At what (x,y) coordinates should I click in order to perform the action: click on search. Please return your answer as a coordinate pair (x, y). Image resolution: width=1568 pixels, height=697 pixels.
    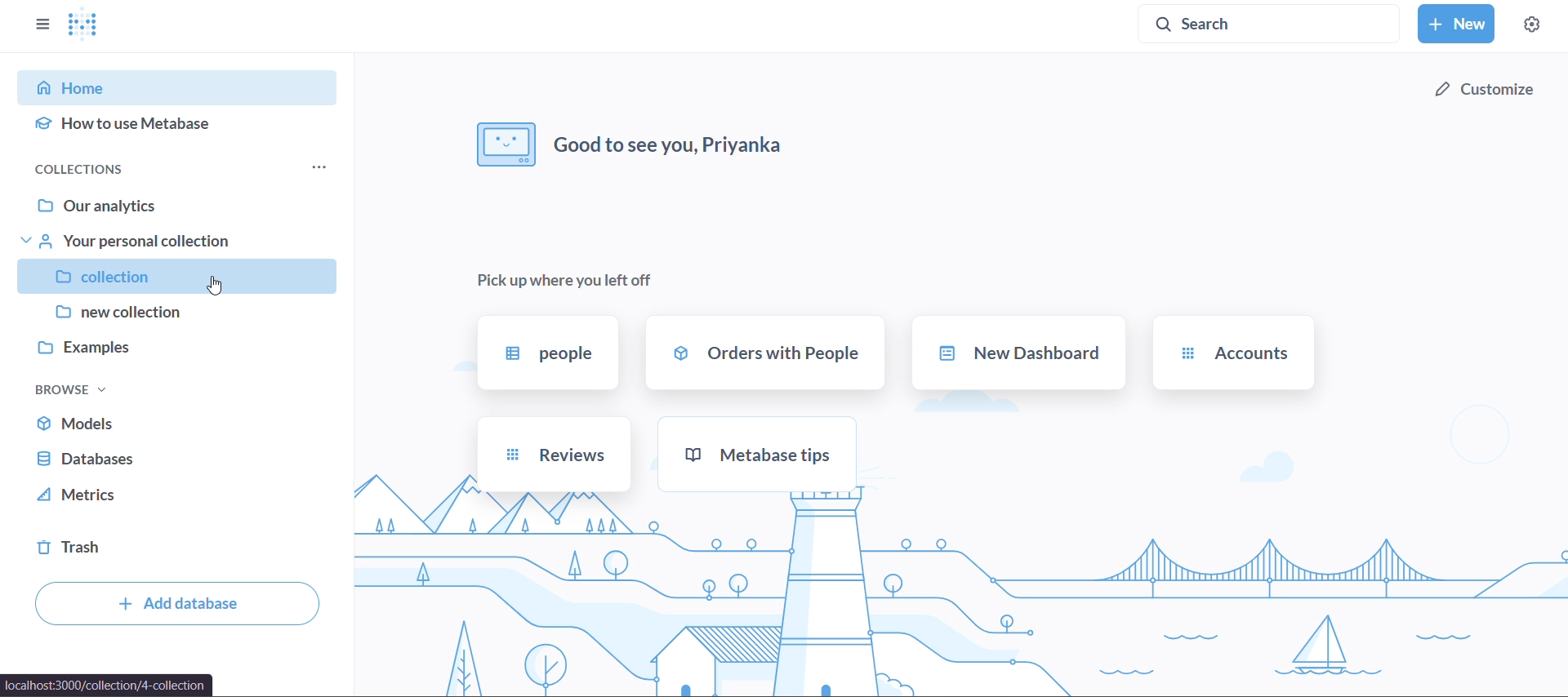
    Looking at the image, I should click on (1267, 24).